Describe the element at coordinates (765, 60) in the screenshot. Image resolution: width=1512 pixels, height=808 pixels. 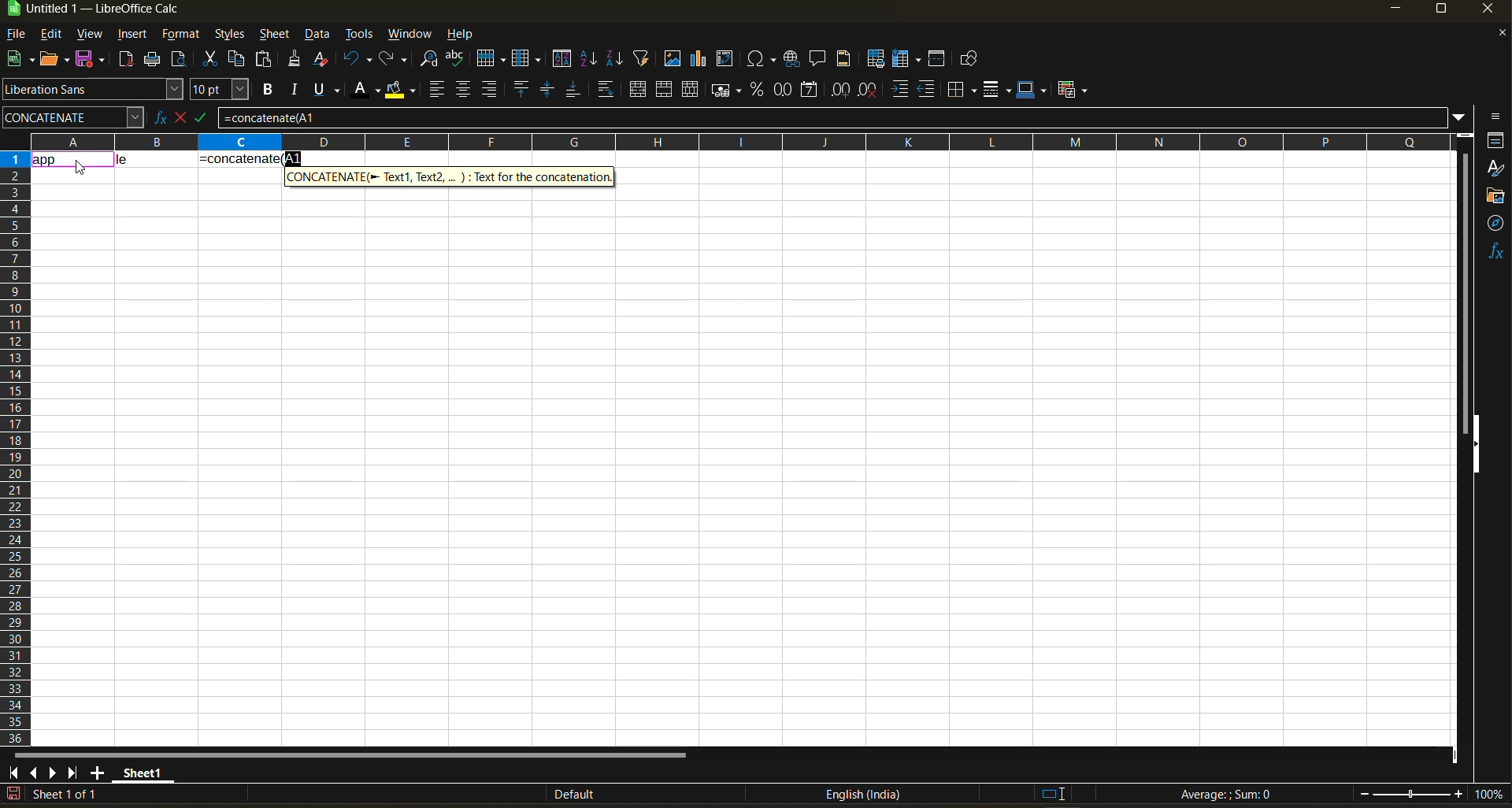
I see `insert special characters` at that location.